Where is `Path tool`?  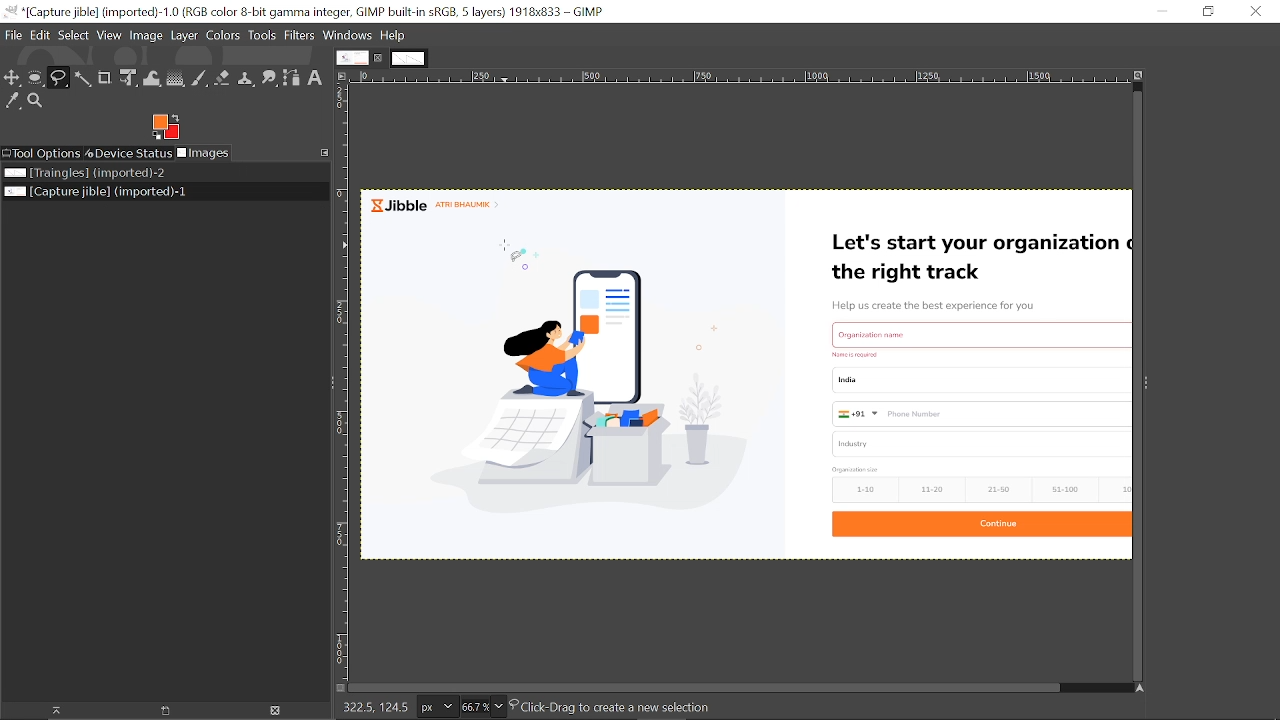 Path tool is located at coordinates (293, 78).